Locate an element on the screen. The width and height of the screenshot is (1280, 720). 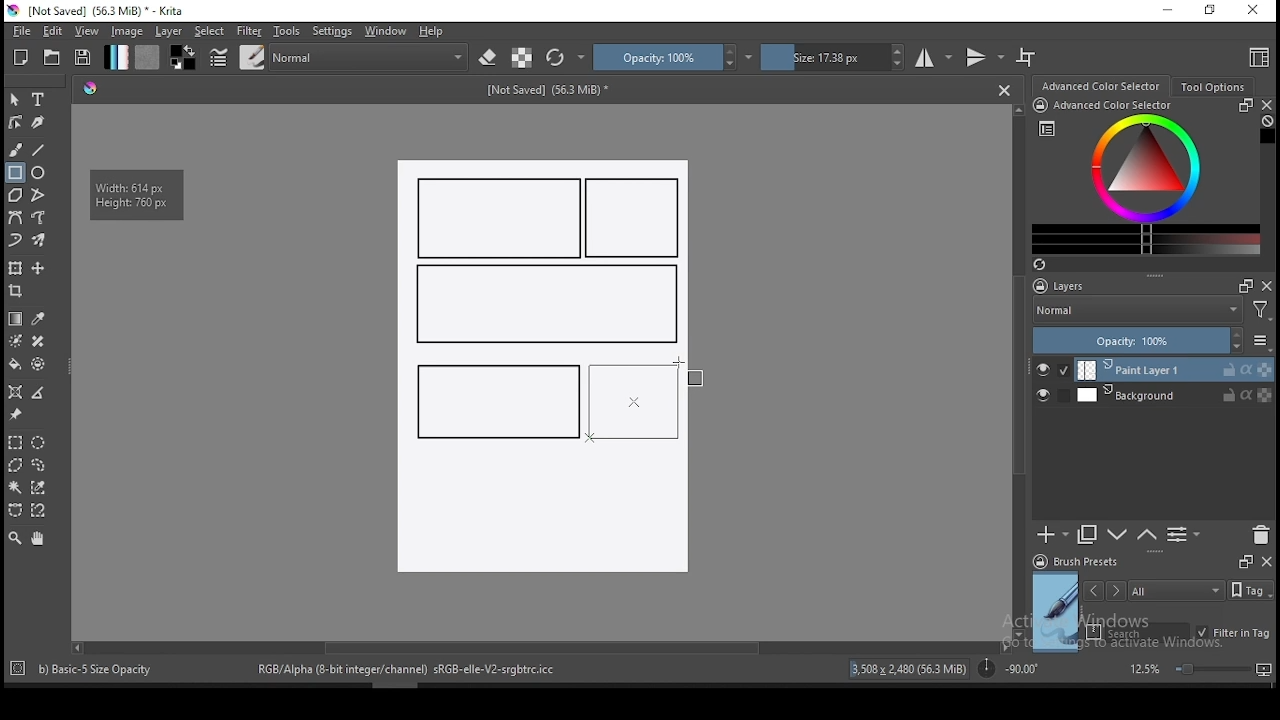
mouse pointer is located at coordinates (680, 364).